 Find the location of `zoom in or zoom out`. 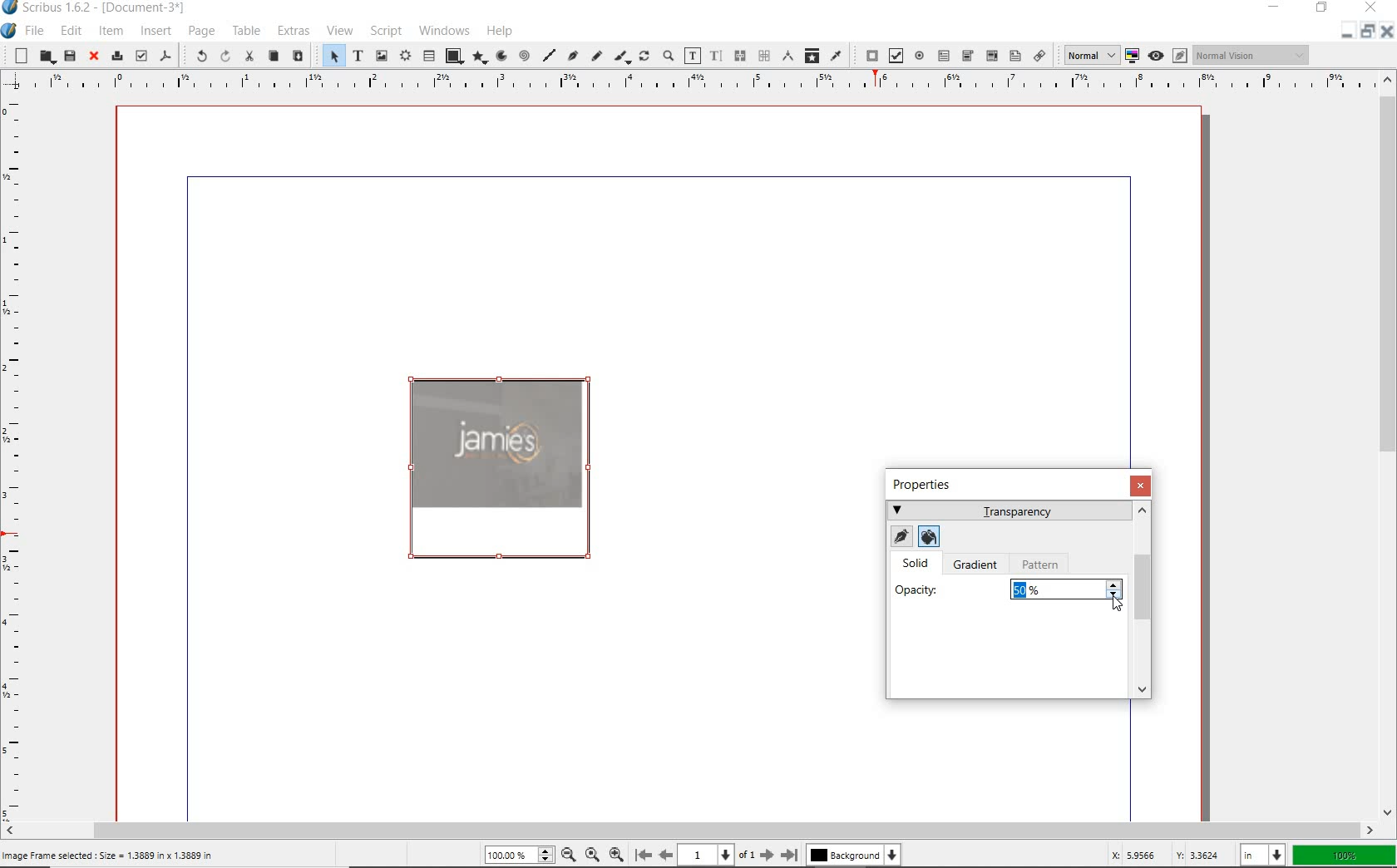

zoom in or zoom out is located at coordinates (668, 55).